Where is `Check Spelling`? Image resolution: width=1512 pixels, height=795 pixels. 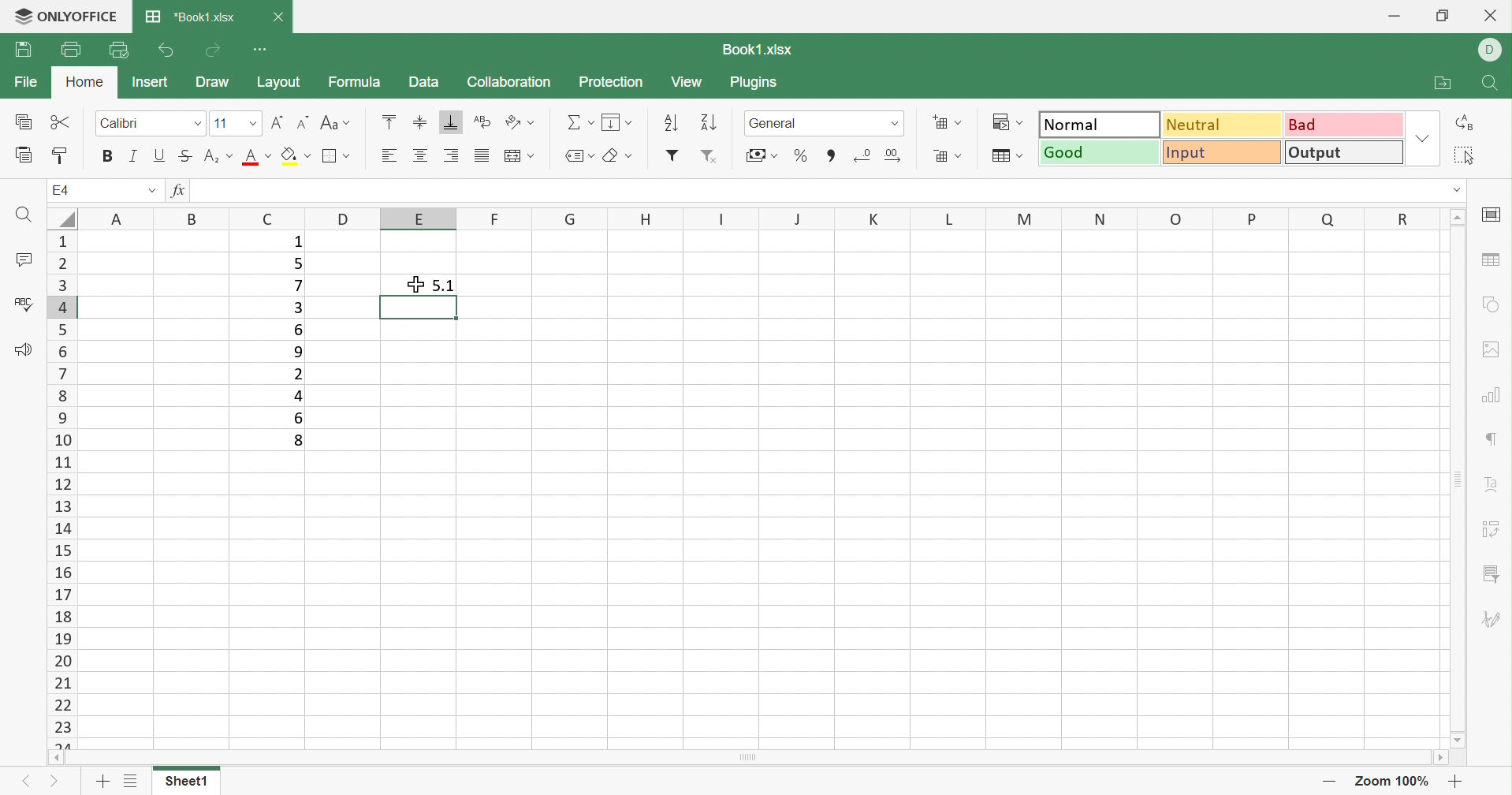
Check Spelling is located at coordinates (23, 303).